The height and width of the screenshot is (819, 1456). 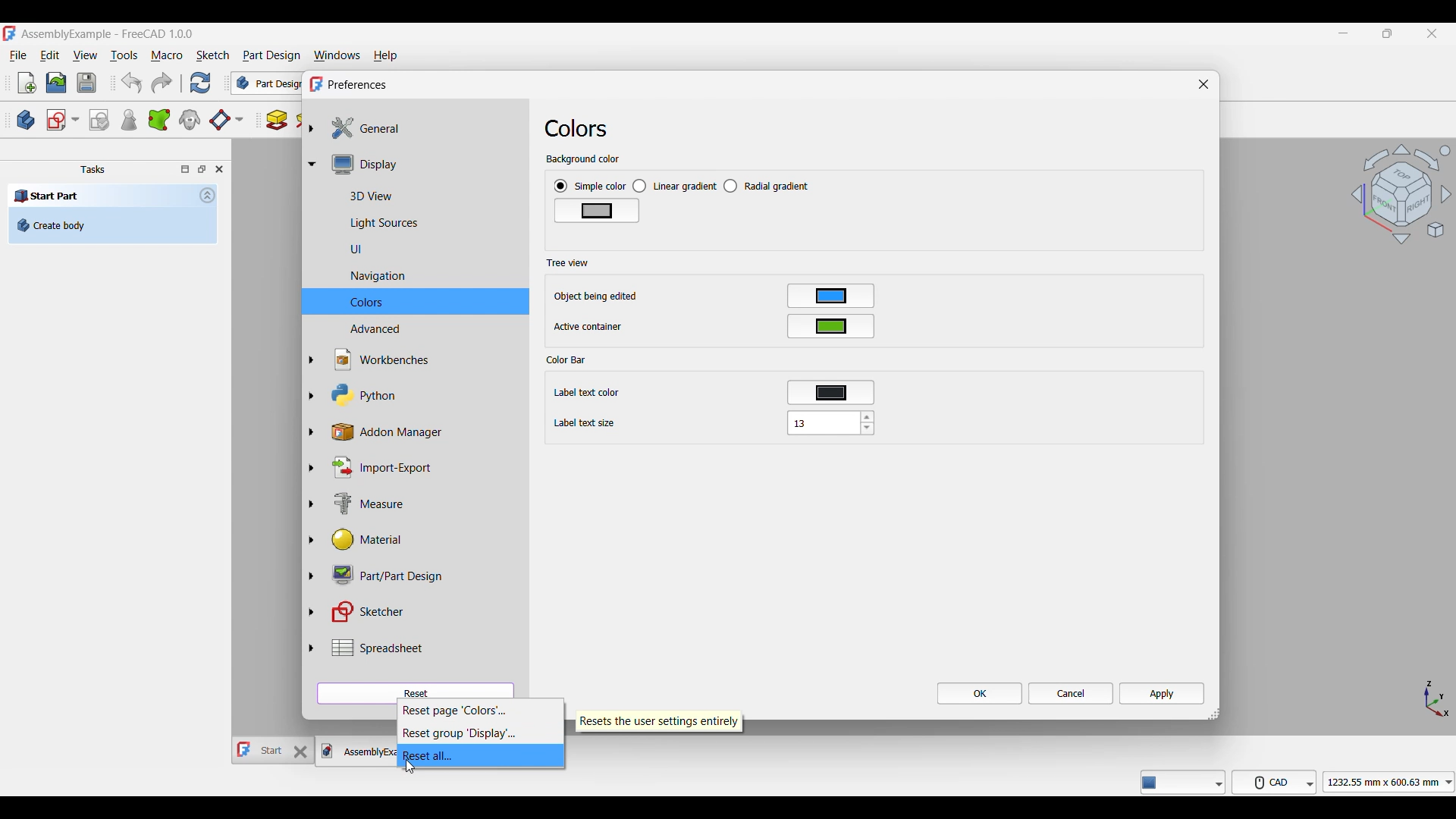 I want to click on Color settings for Active container, so click(x=831, y=326).